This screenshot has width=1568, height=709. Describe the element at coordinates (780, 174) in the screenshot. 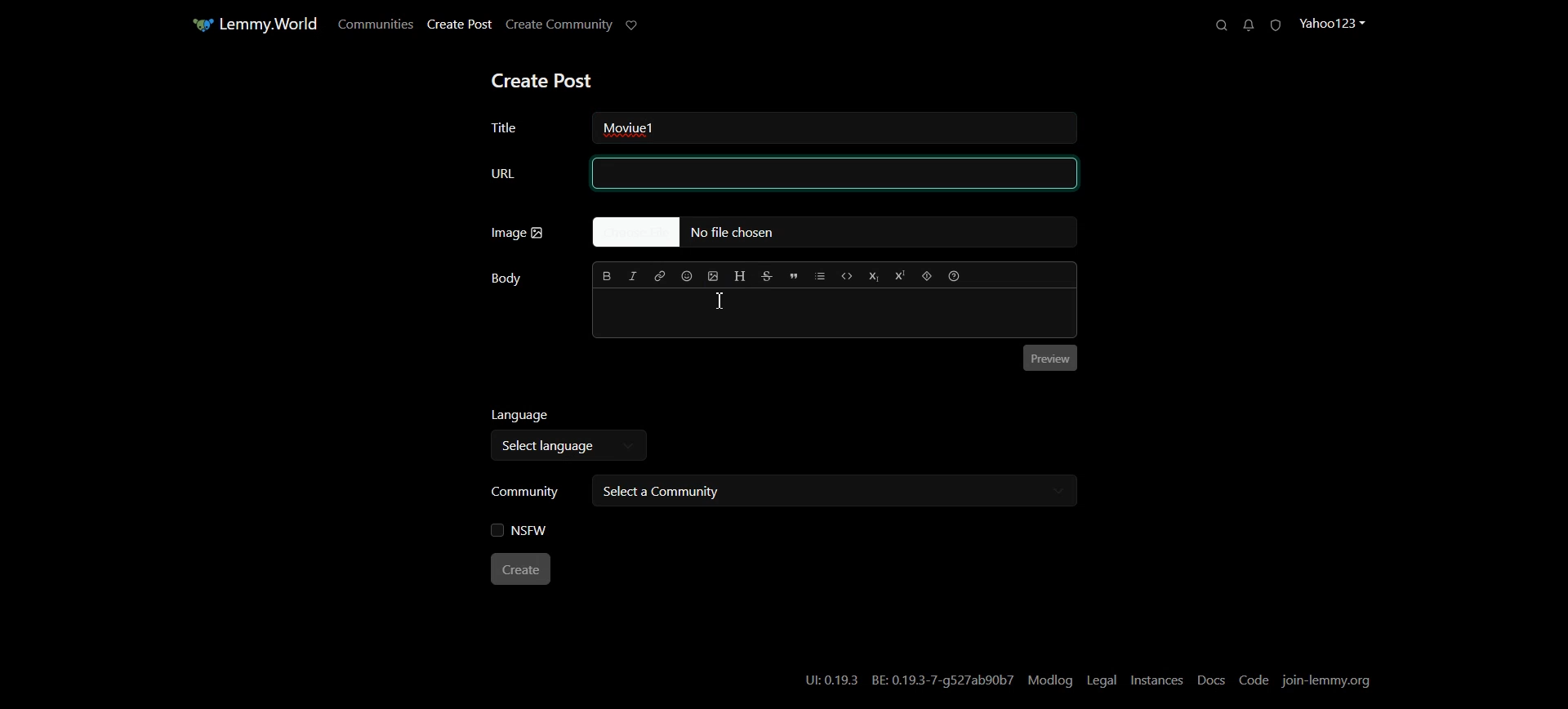

I see `URL` at that location.